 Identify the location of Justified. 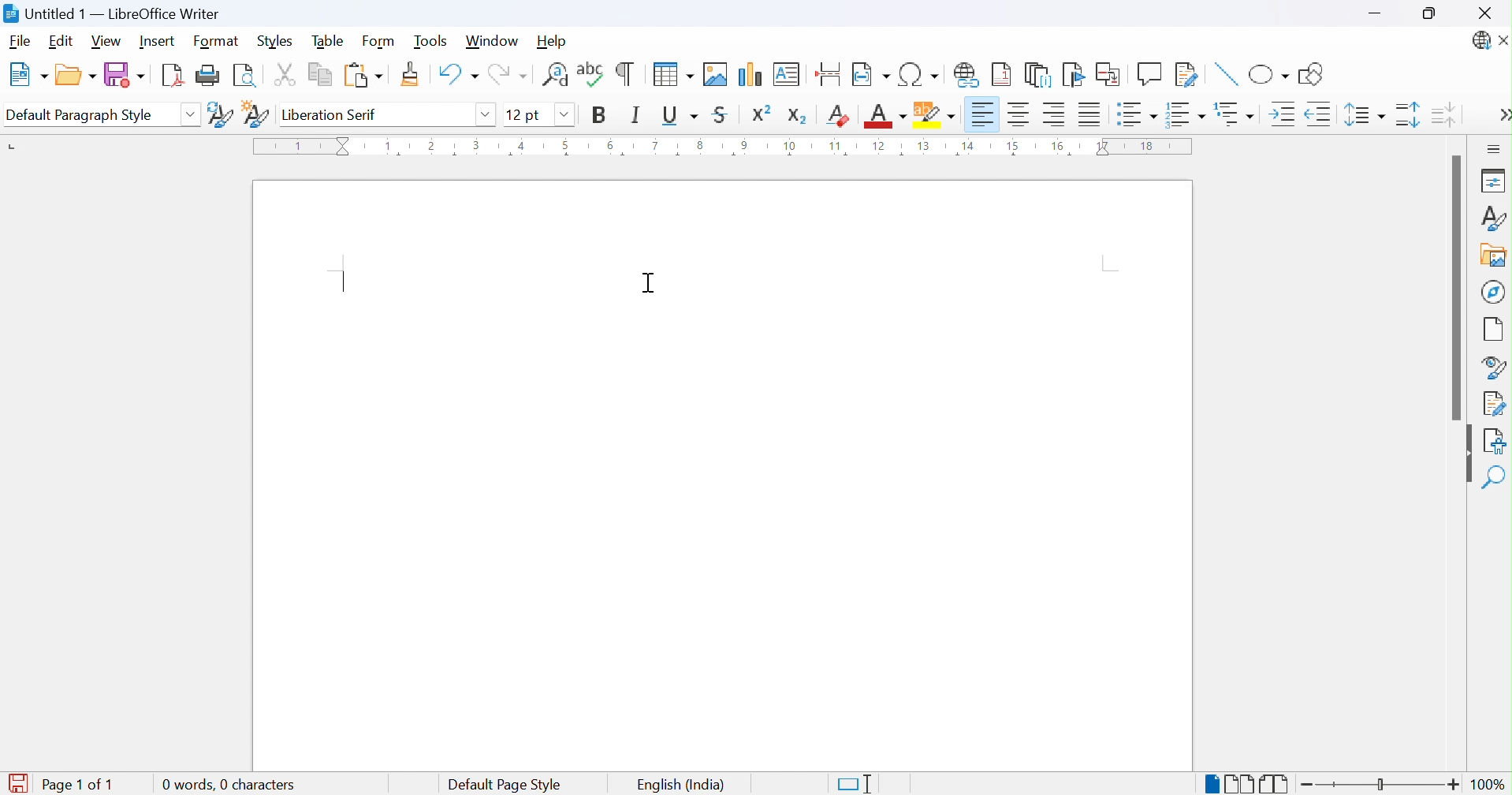
(1093, 114).